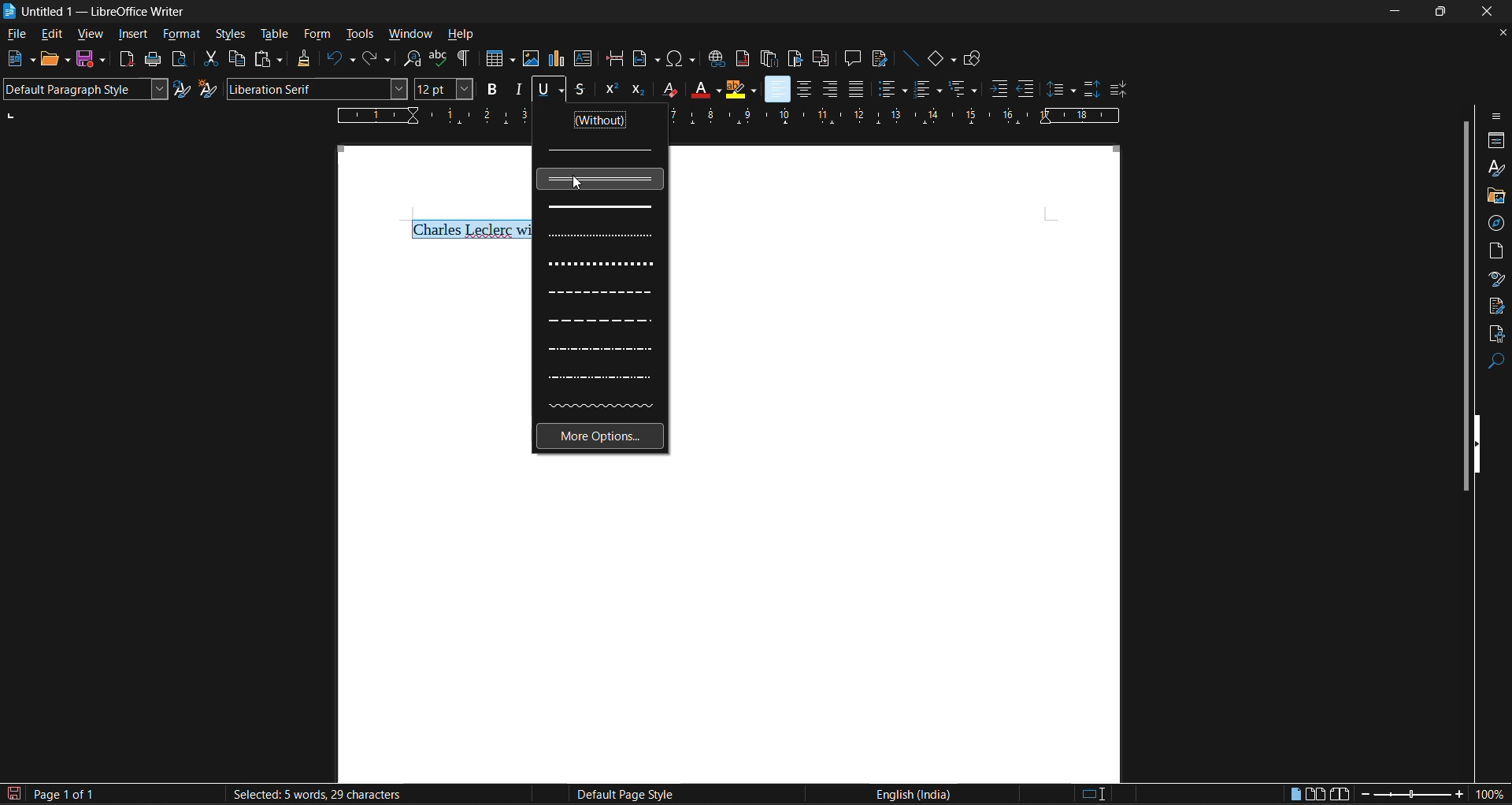  Describe the element at coordinates (315, 795) in the screenshot. I see `selected word and character count` at that location.